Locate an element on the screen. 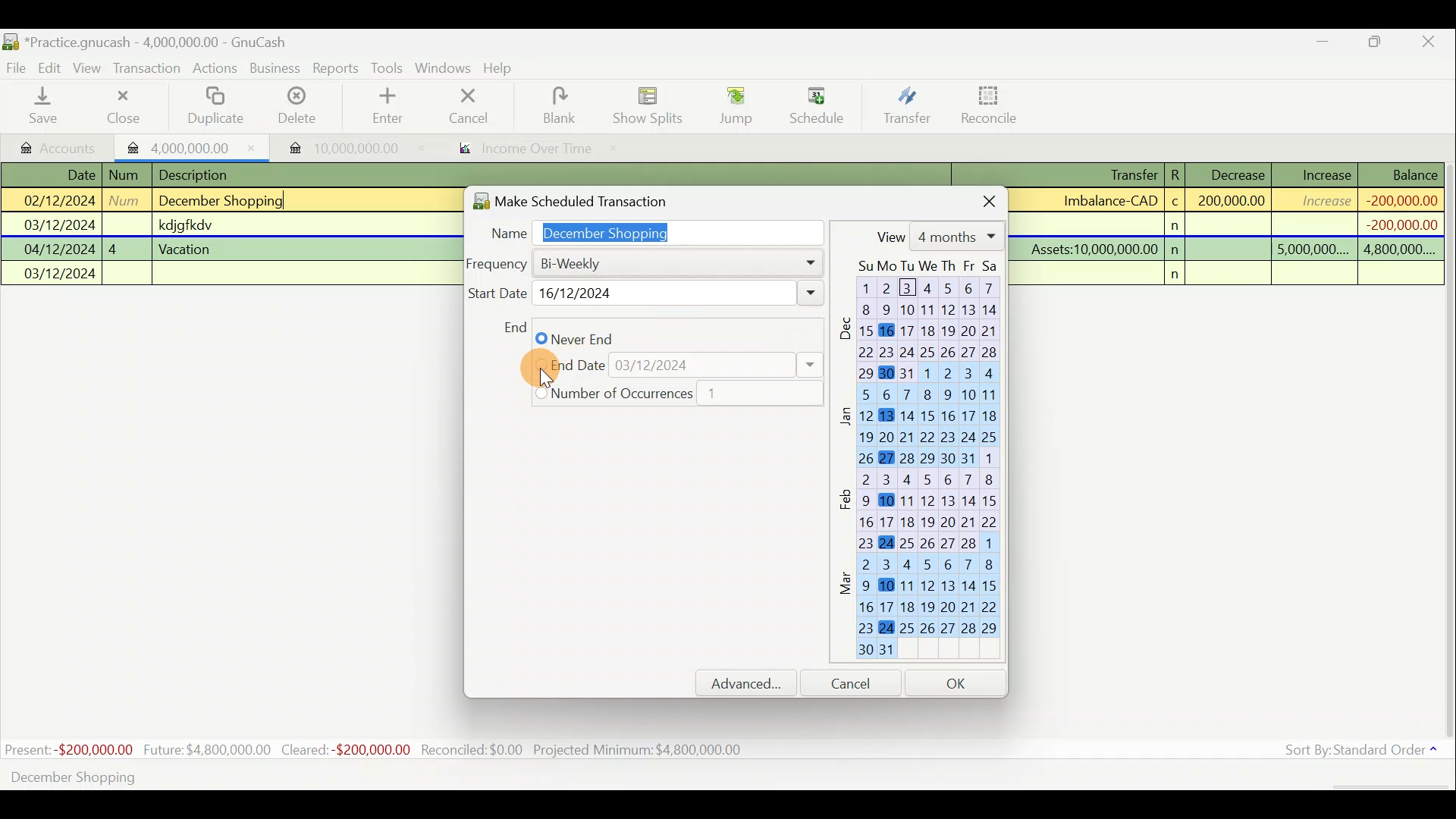  Cursor is located at coordinates (543, 368).